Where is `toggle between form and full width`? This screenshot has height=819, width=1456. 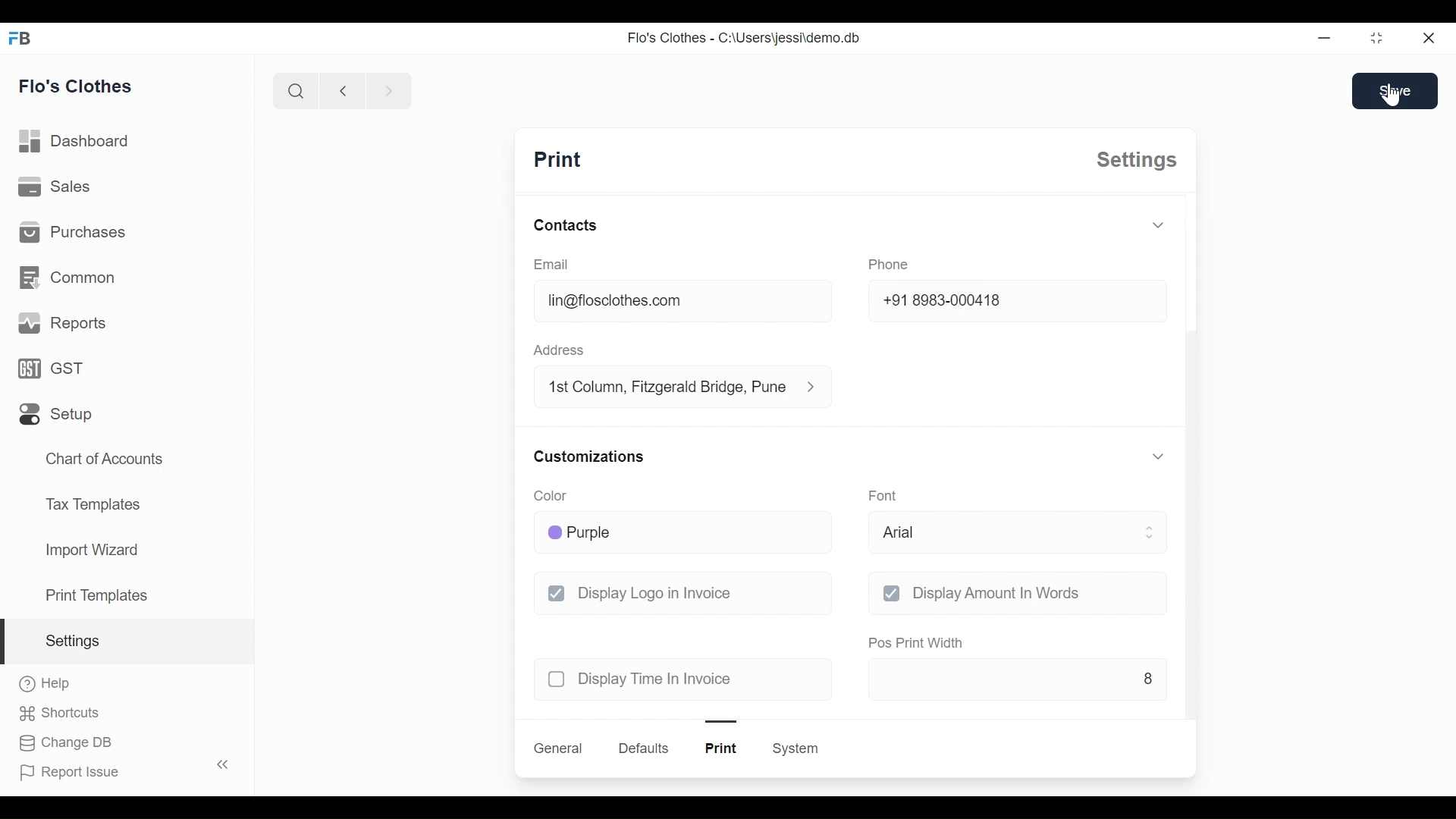
toggle between form and full width is located at coordinates (1377, 38).